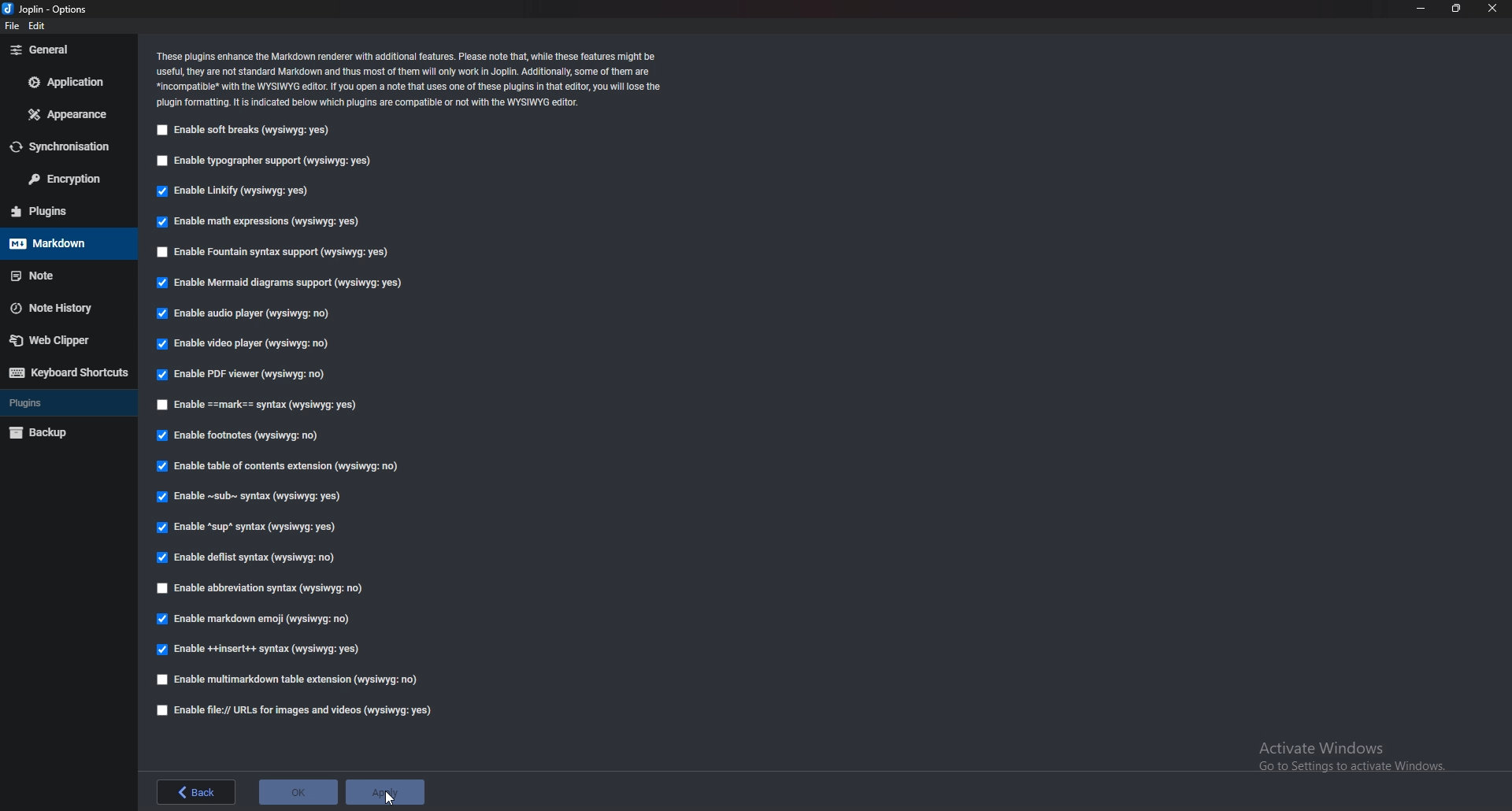 The width and height of the screenshot is (1512, 811). I want to click on enable multimarkdown table extension, so click(289, 680).